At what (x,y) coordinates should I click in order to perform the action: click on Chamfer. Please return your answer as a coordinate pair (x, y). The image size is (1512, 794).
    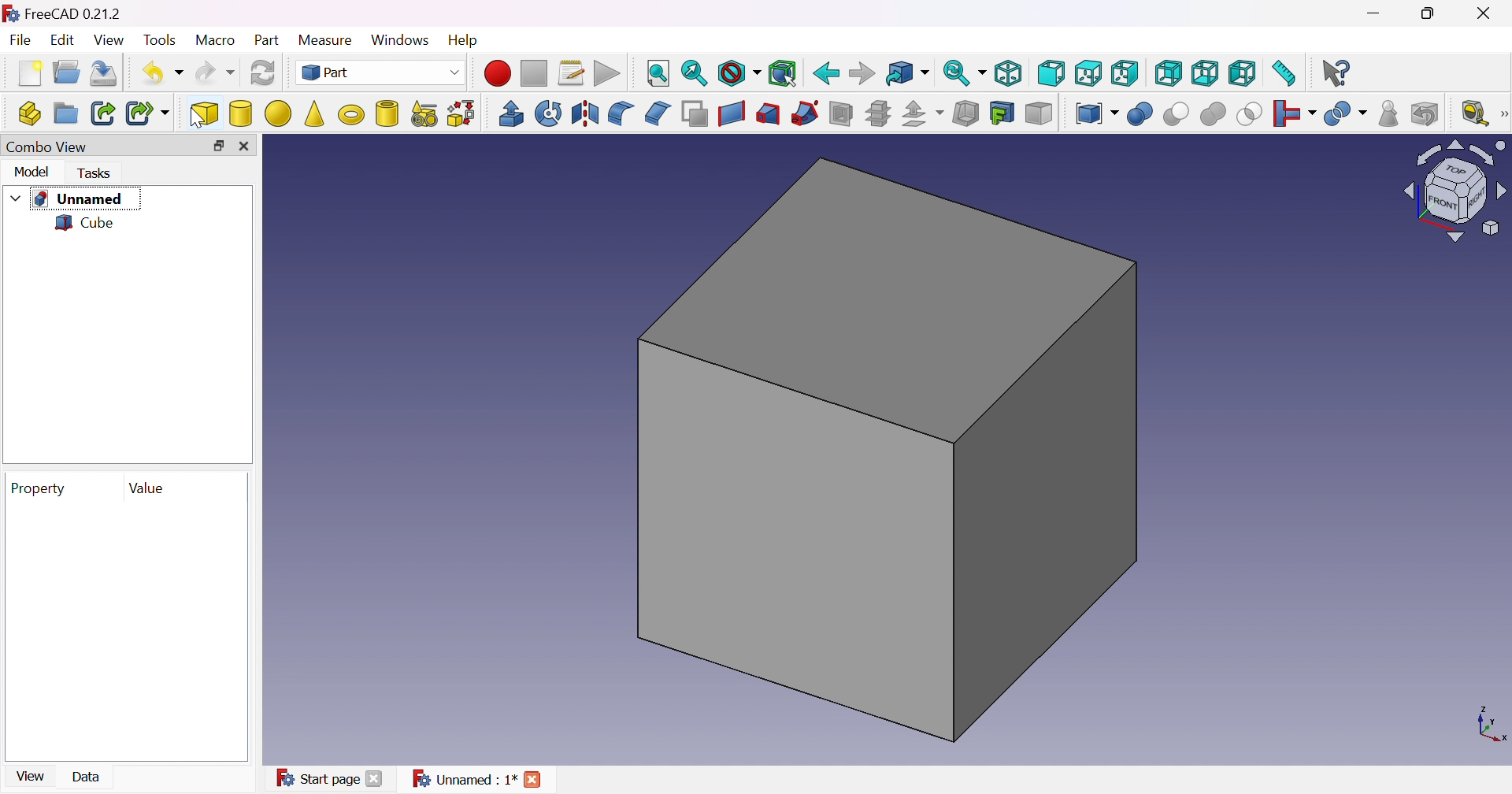
    Looking at the image, I should click on (659, 113).